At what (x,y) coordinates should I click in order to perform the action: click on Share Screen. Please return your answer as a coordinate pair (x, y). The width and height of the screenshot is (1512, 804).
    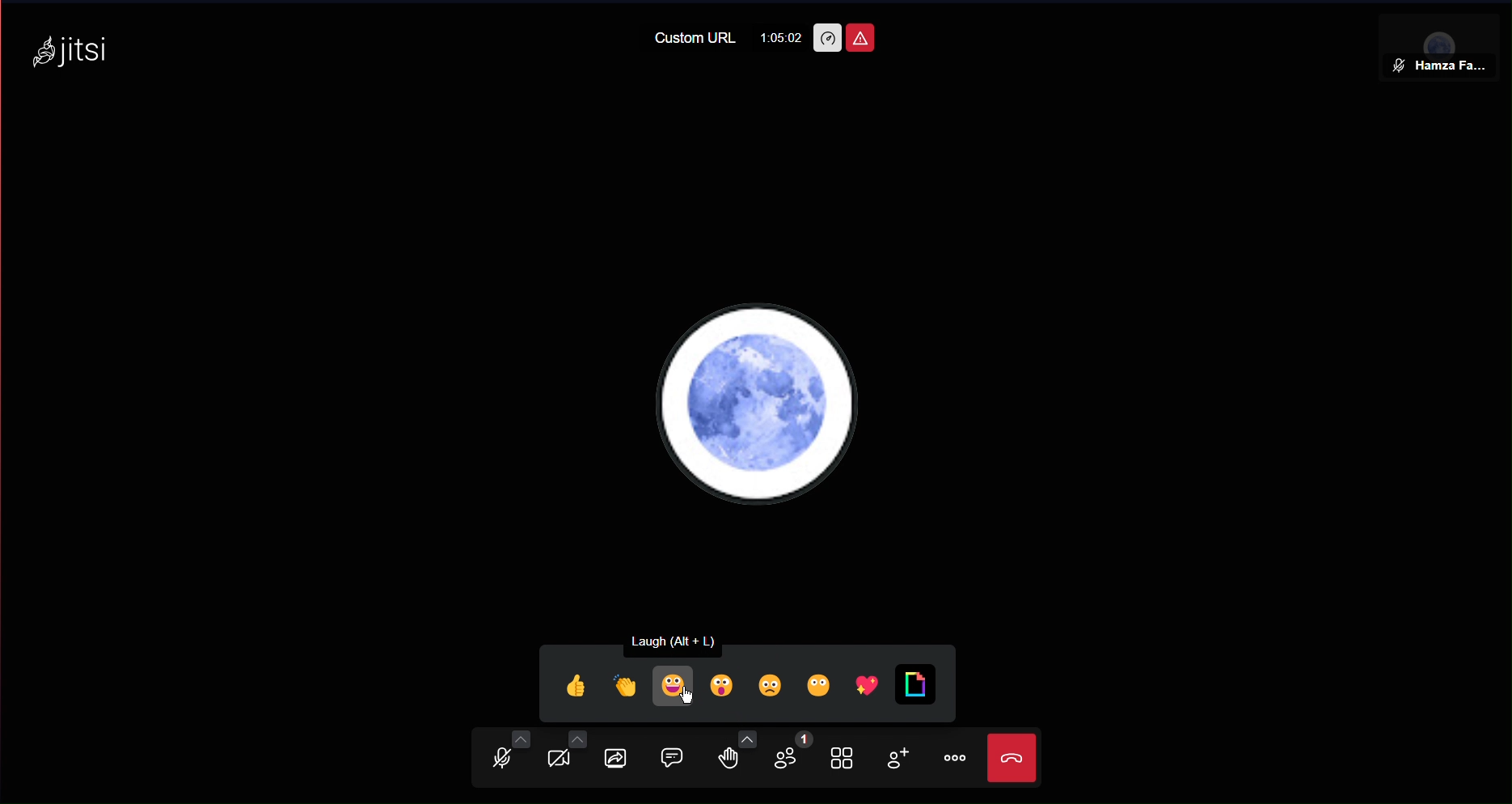
    Looking at the image, I should click on (624, 760).